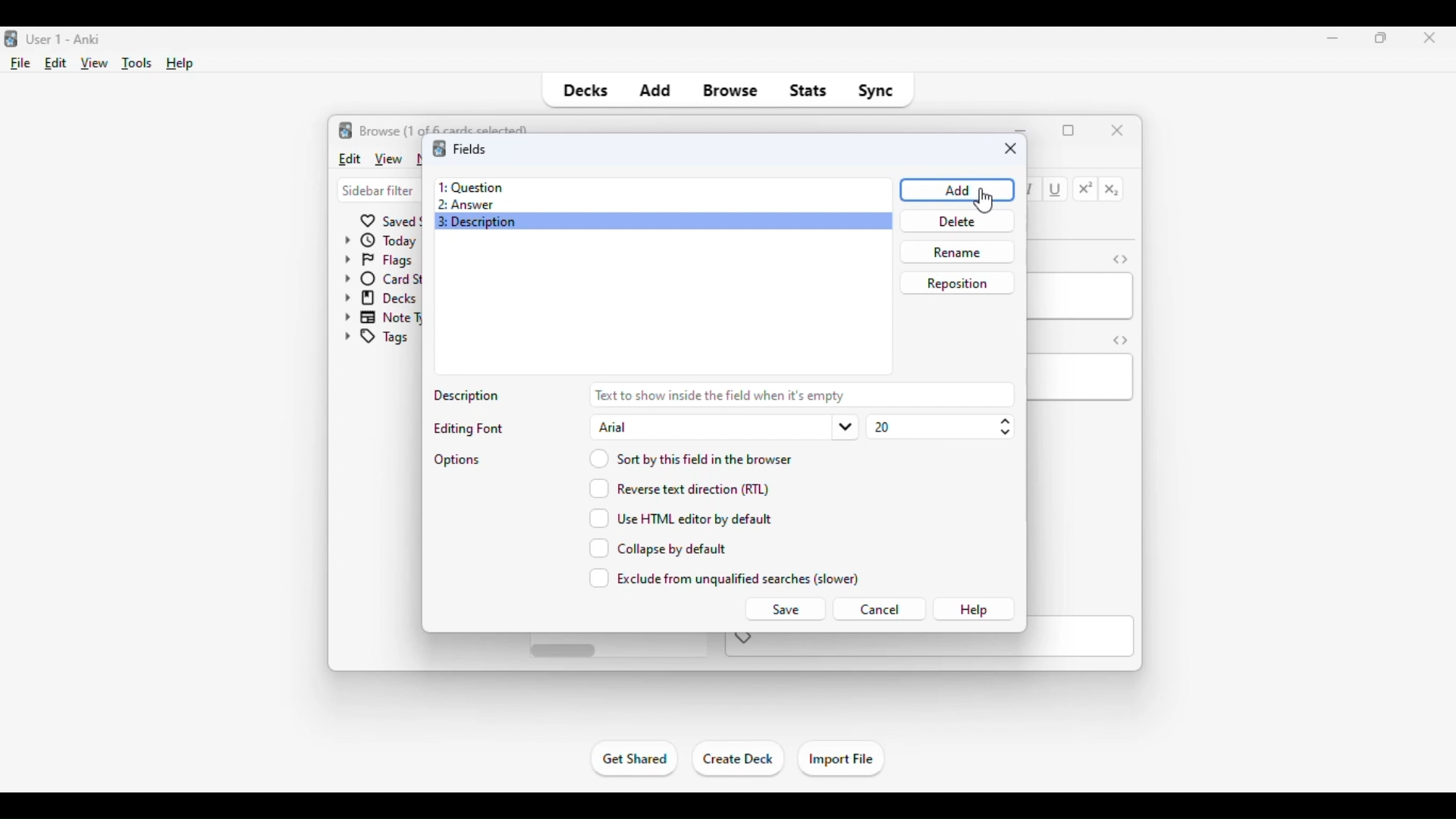 This screenshot has height=819, width=1456. What do you see at coordinates (984, 201) in the screenshot?
I see `cursor` at bounding box center [984, 201].